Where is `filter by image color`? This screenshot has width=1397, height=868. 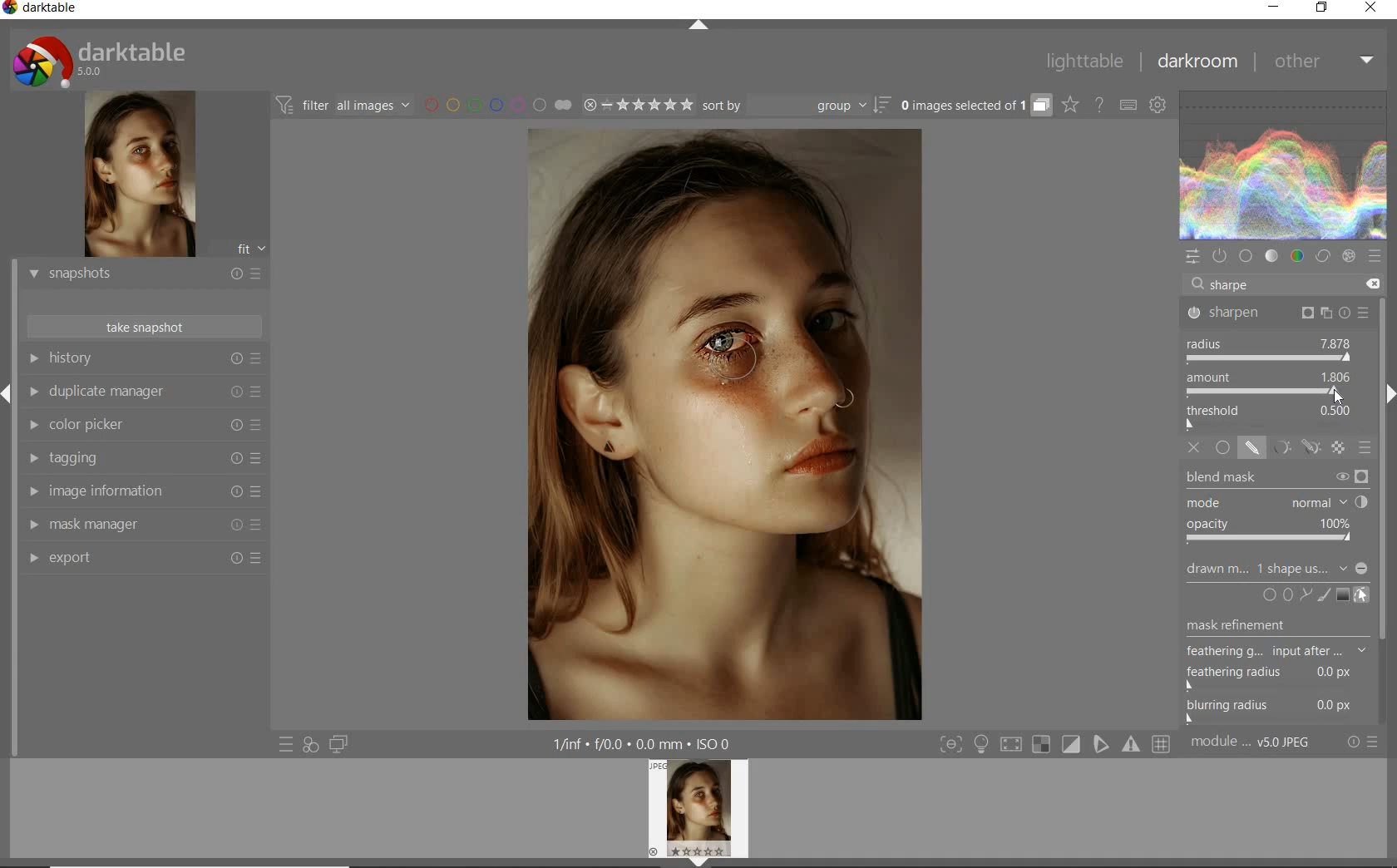
filter by image color is located at coordinates (497, 106).